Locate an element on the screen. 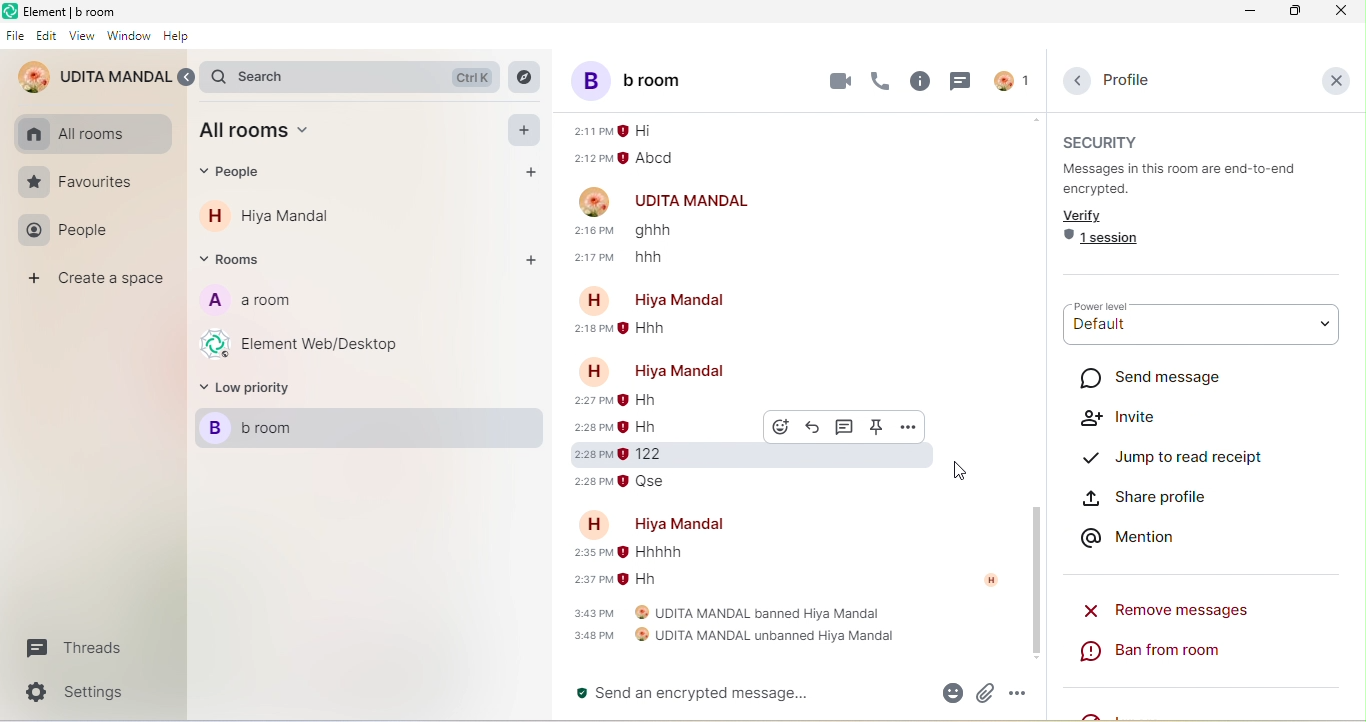 The height and width of the screenshot is (722, 1366). attachment is located at coordinates (984, 693).